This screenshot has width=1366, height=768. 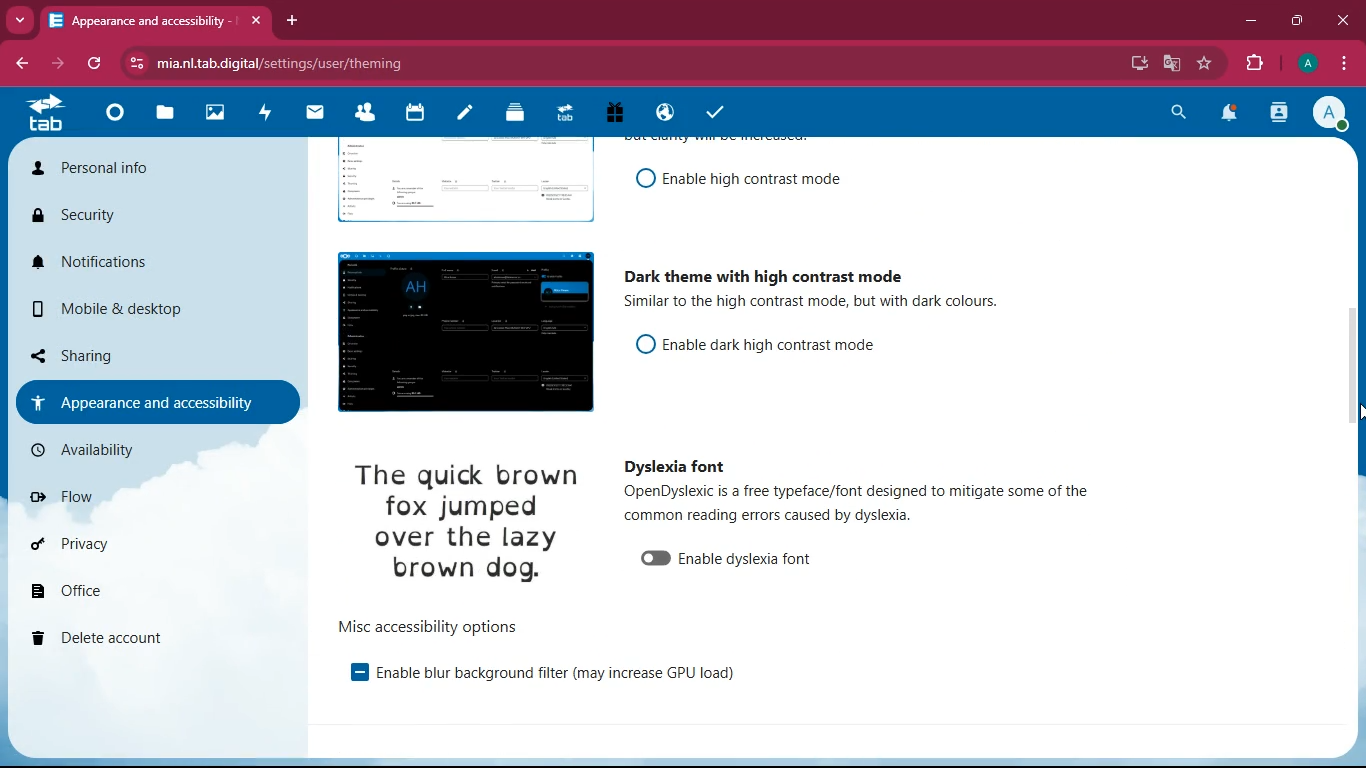 What do you see at coordinates (110, 495) in the screenshot?
I see `flow` at bounding box center [110, 495].